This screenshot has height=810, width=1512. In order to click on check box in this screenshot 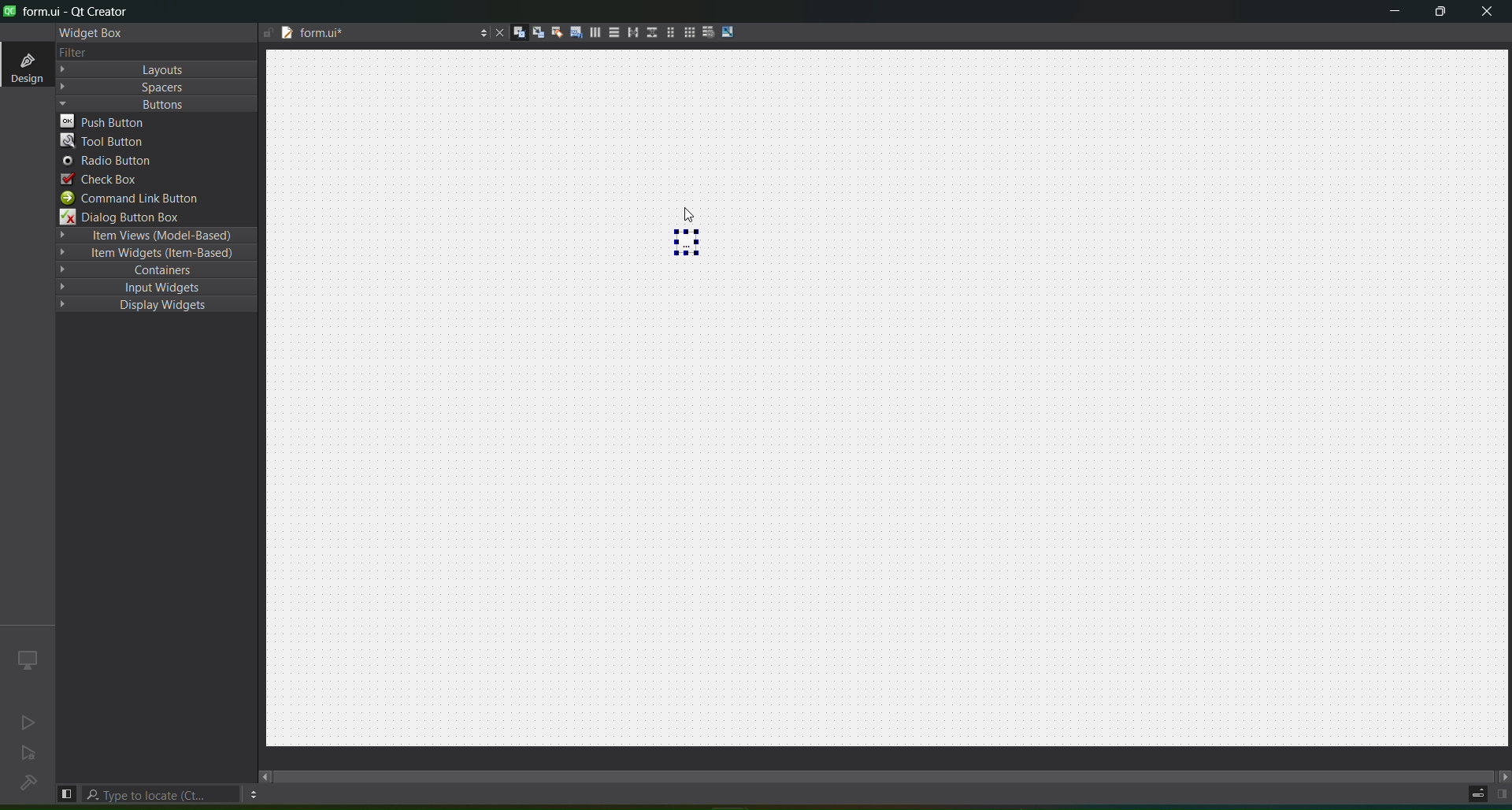, I will do `click(151, 180)`.